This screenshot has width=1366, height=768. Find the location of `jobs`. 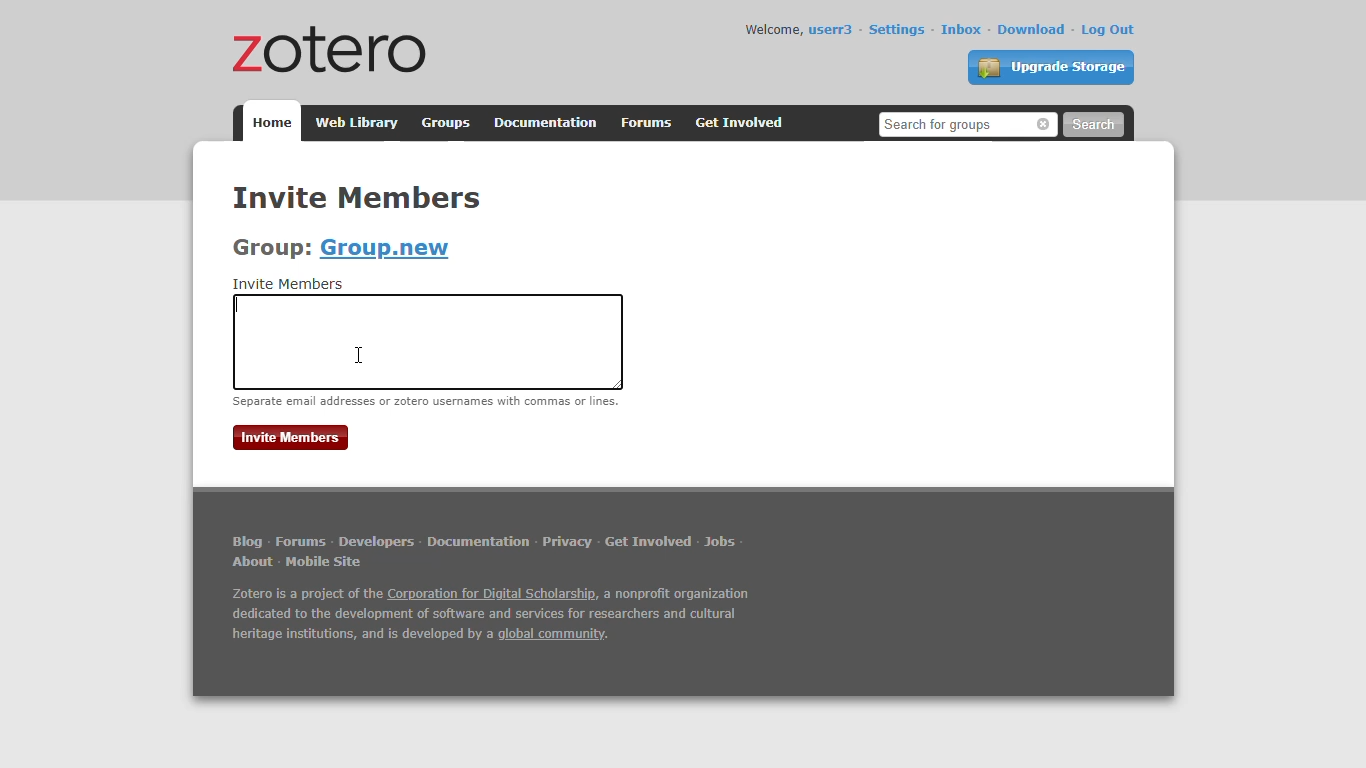

jobs is located at coordinates (721, 542).